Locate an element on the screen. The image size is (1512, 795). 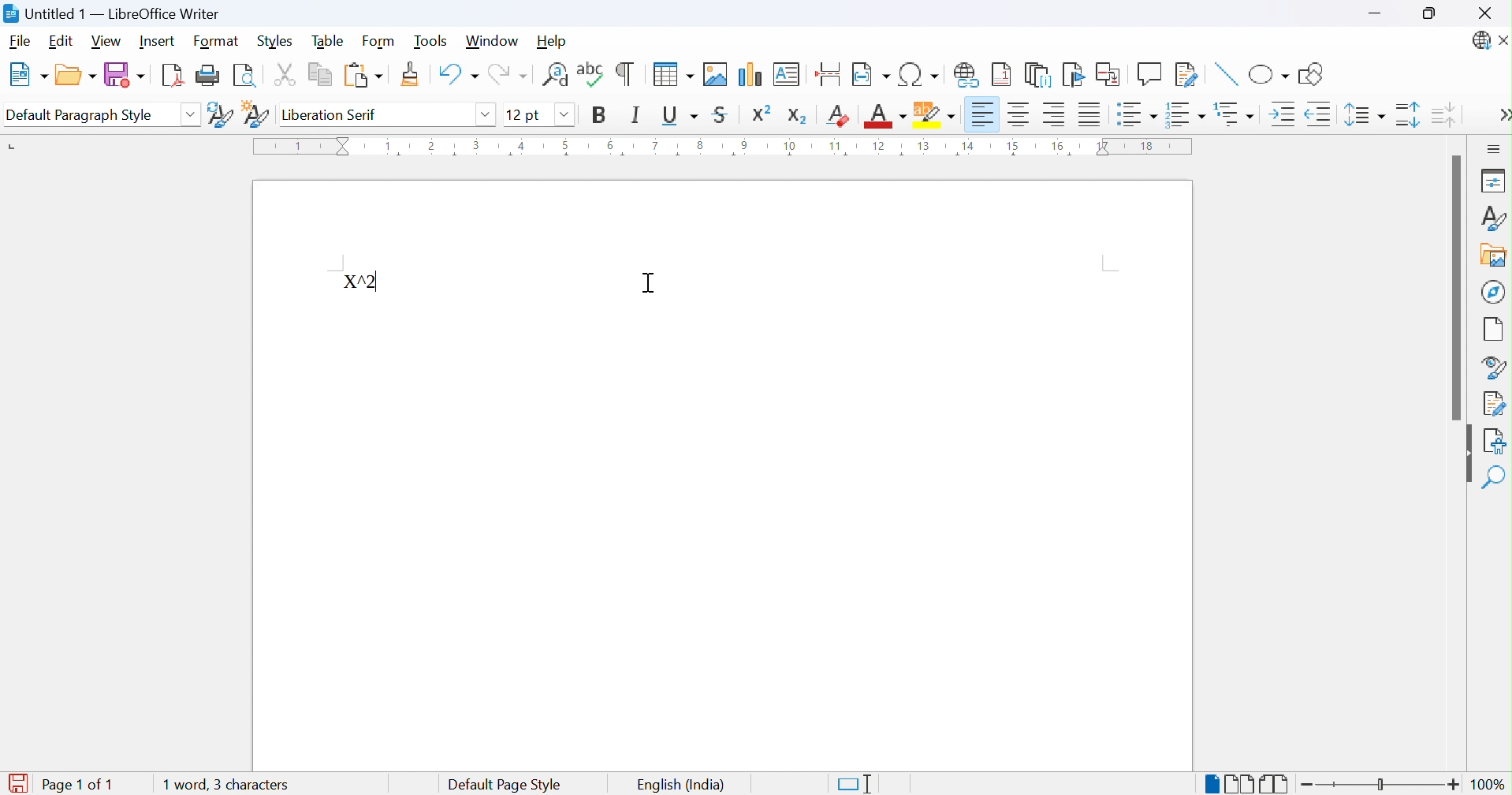
New is located at coordinates (27, 75).